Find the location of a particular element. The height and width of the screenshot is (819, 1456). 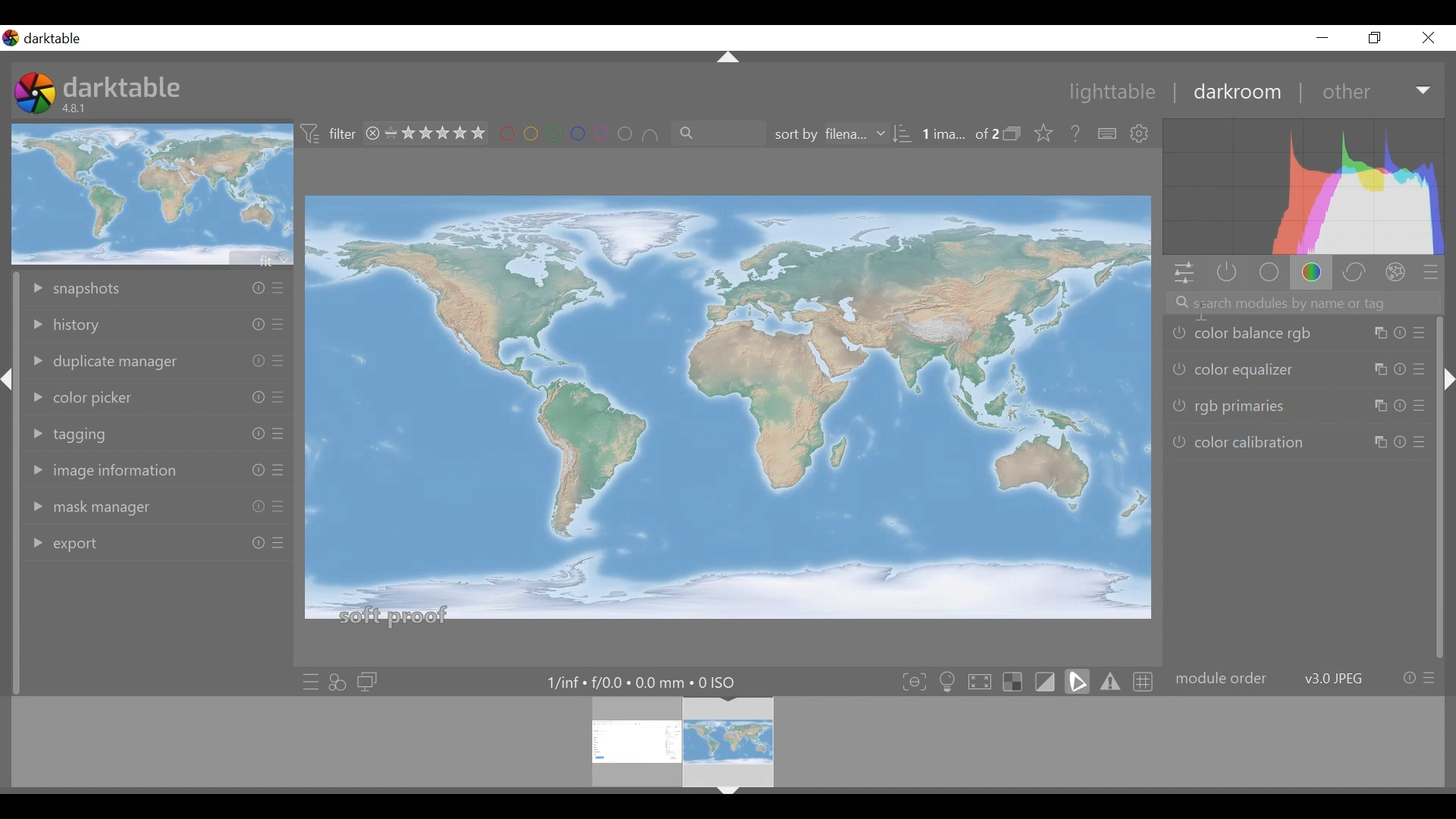

 is located at coordinates (255, 288).